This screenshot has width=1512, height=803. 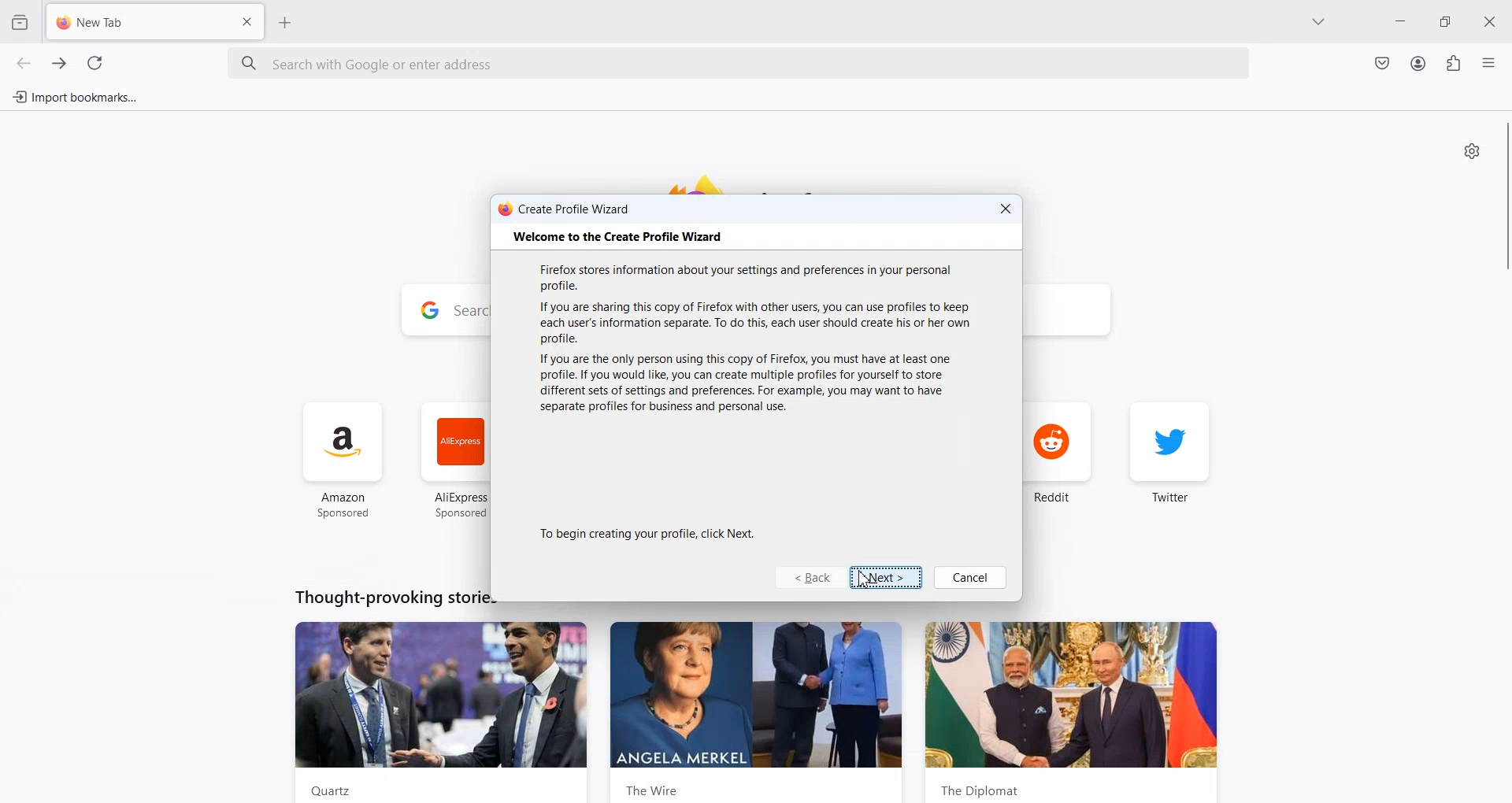 I want to click on Cursor, so click(x=866, y=578).